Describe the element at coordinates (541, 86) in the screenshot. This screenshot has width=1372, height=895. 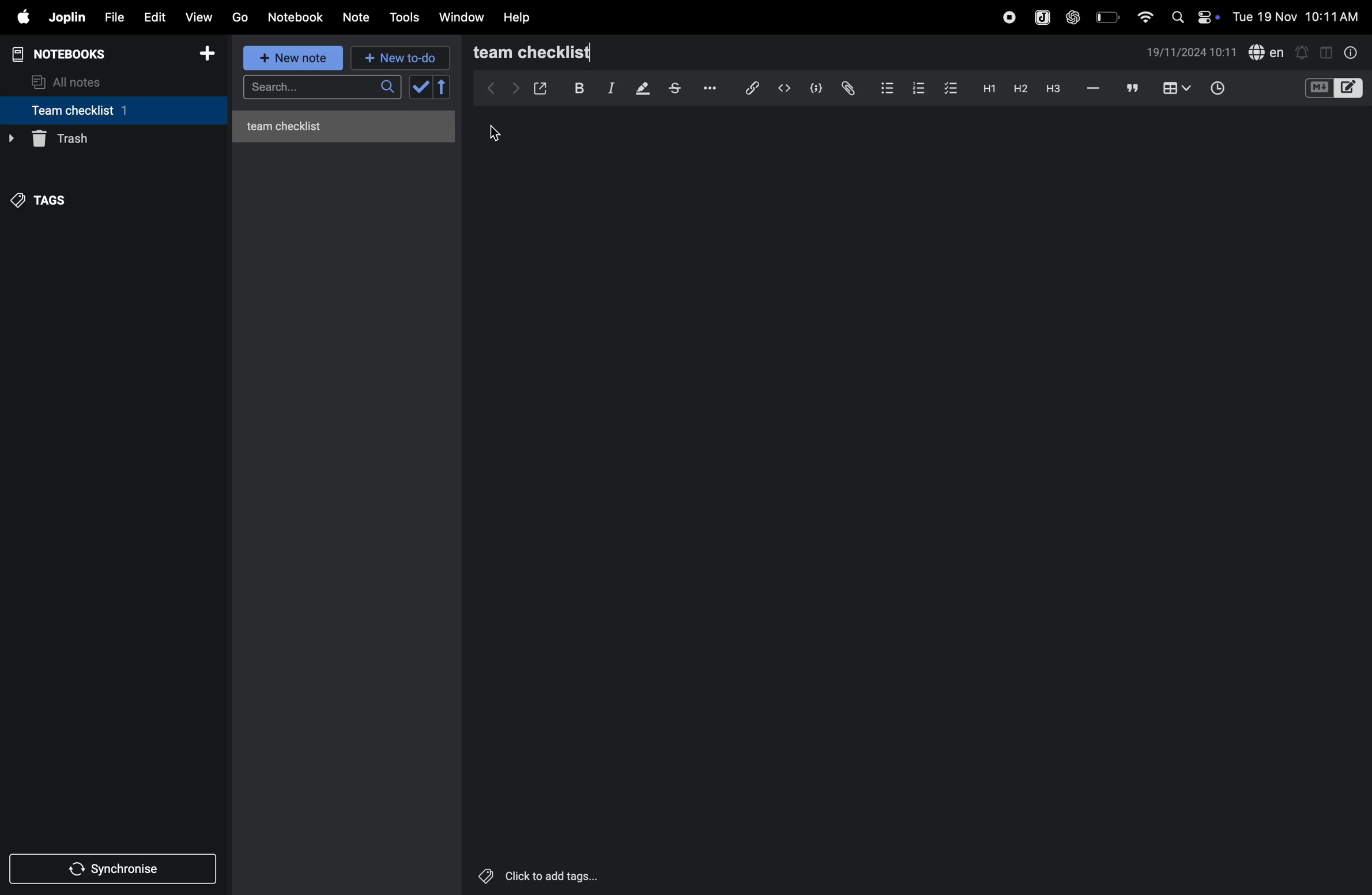
I see `open window` at that location.